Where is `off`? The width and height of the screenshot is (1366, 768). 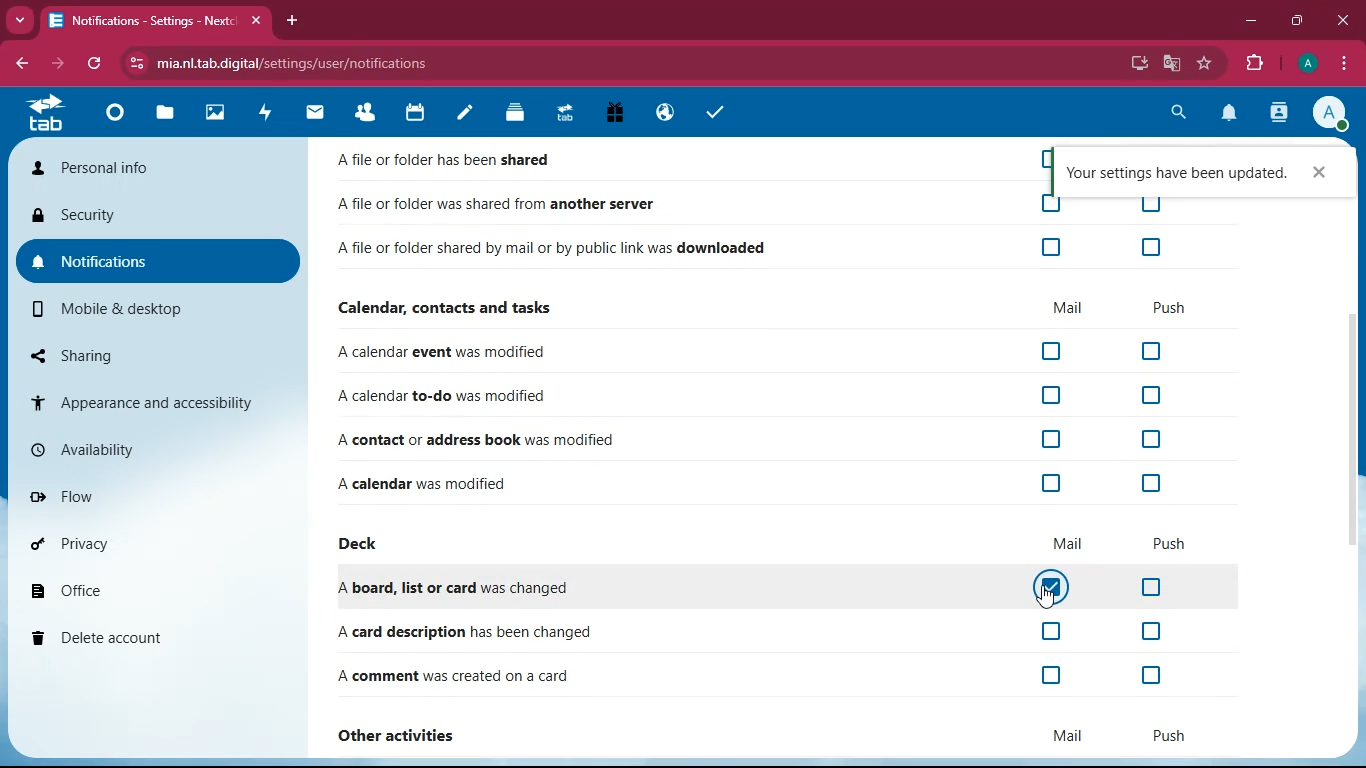 off is located at coordinates (1153, 347).